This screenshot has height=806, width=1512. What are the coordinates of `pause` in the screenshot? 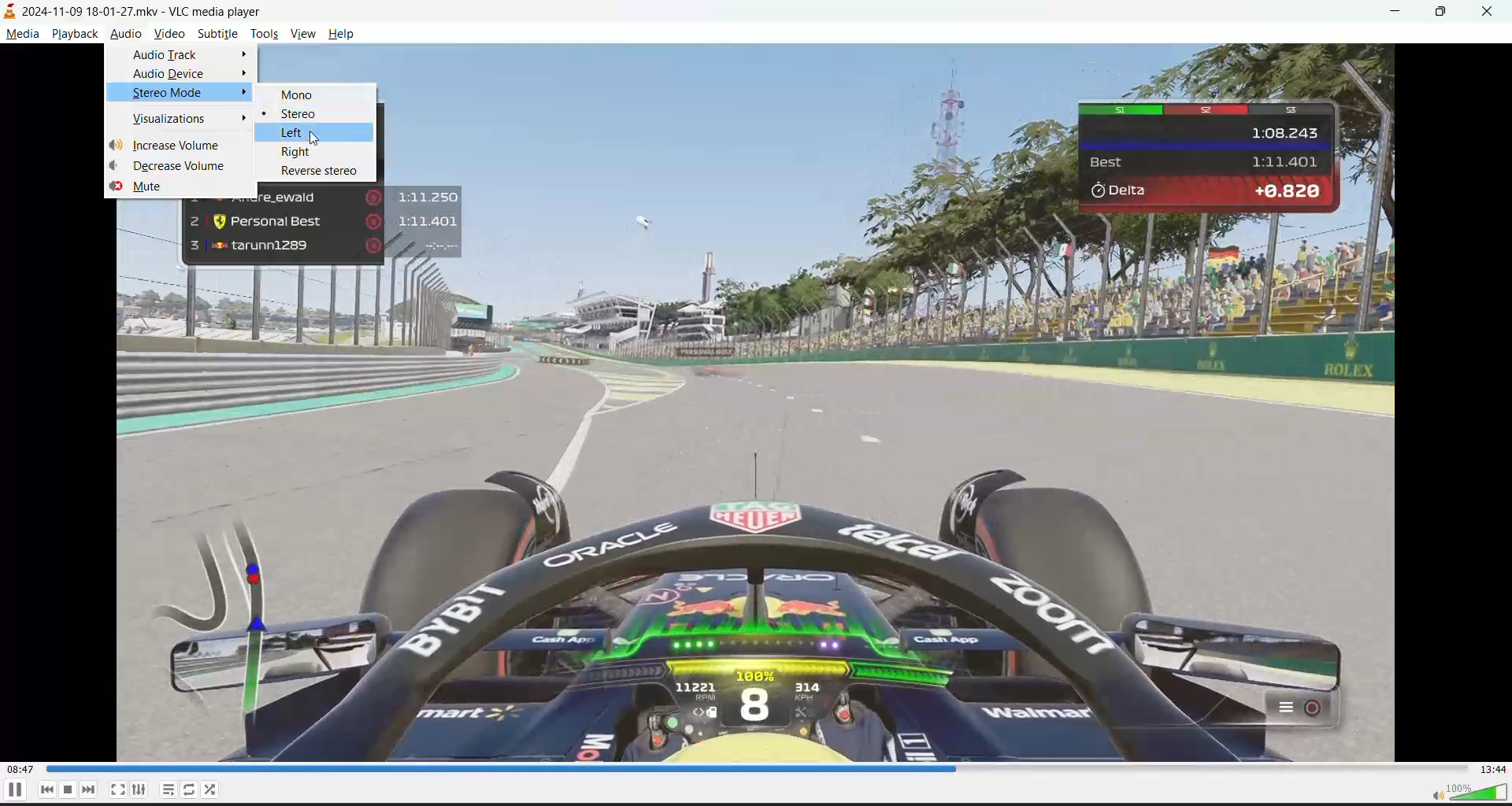 It's located at (13, 790).